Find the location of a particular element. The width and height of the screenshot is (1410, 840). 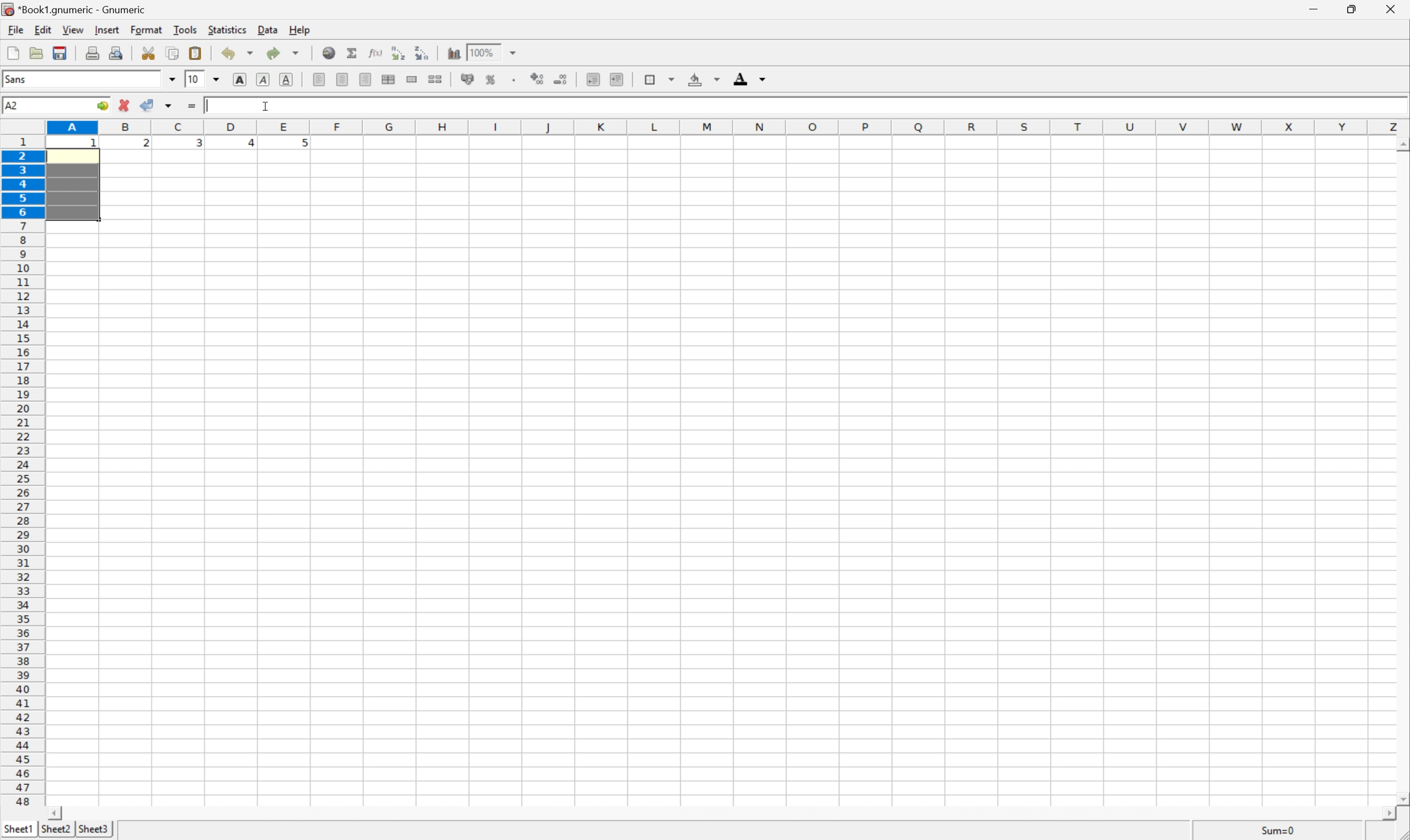

accept changes across selection is located at coordinates (168, 106).